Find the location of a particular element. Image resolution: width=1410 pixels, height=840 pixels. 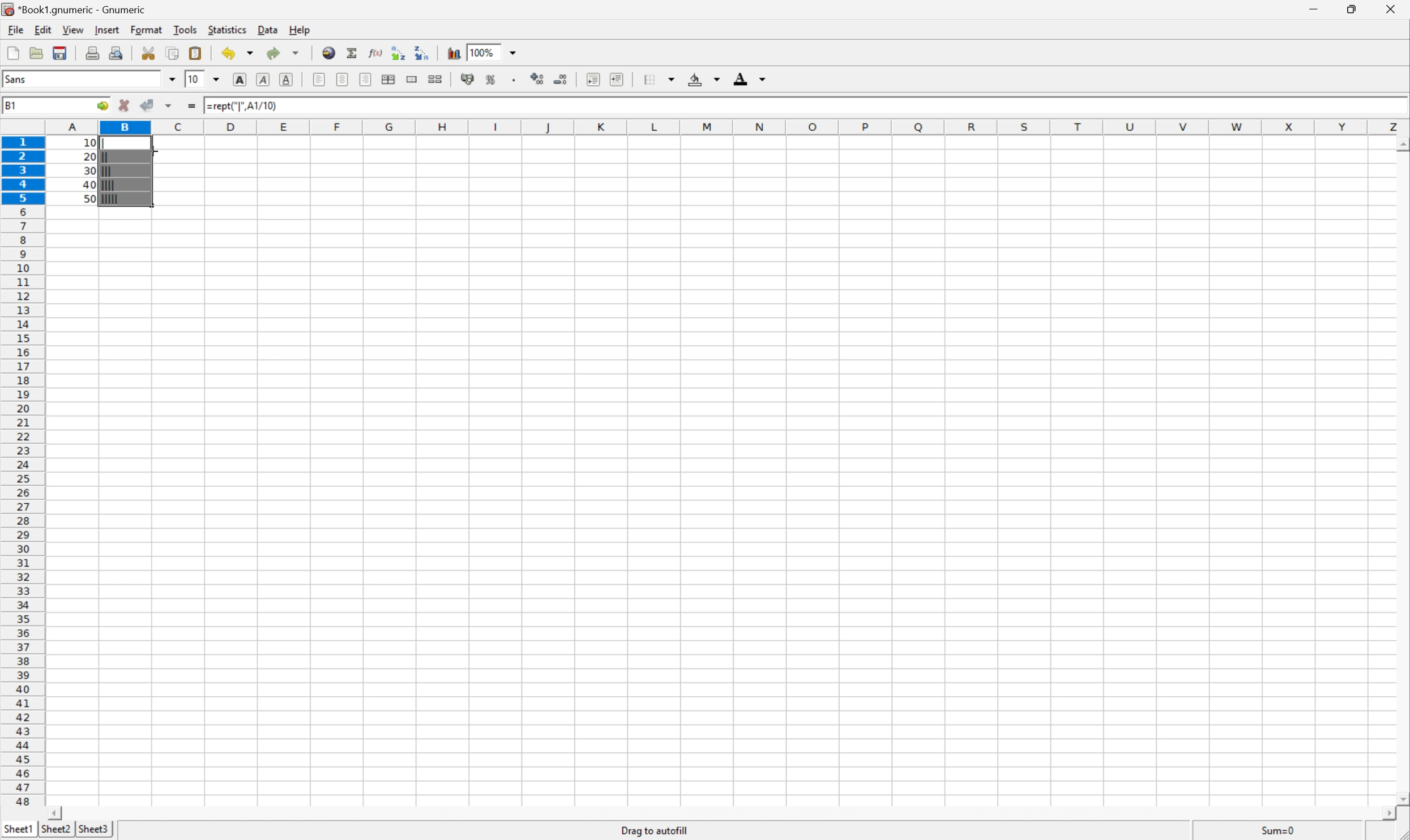

Format the selection as percentage is located at coordinates (488, 79).